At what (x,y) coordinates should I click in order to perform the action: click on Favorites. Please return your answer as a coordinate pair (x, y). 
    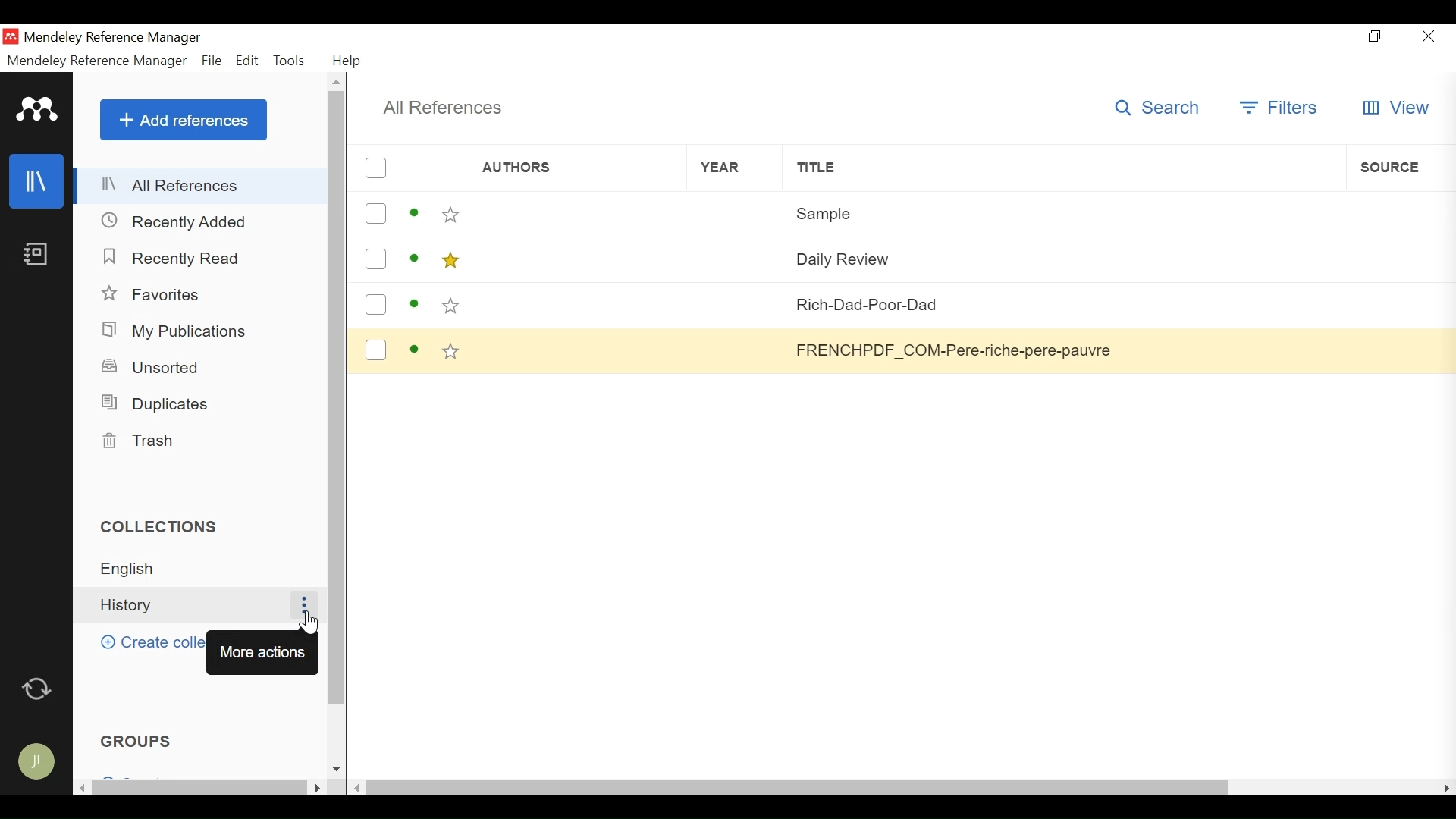
    Looking at the image, I should click on (154, 295).